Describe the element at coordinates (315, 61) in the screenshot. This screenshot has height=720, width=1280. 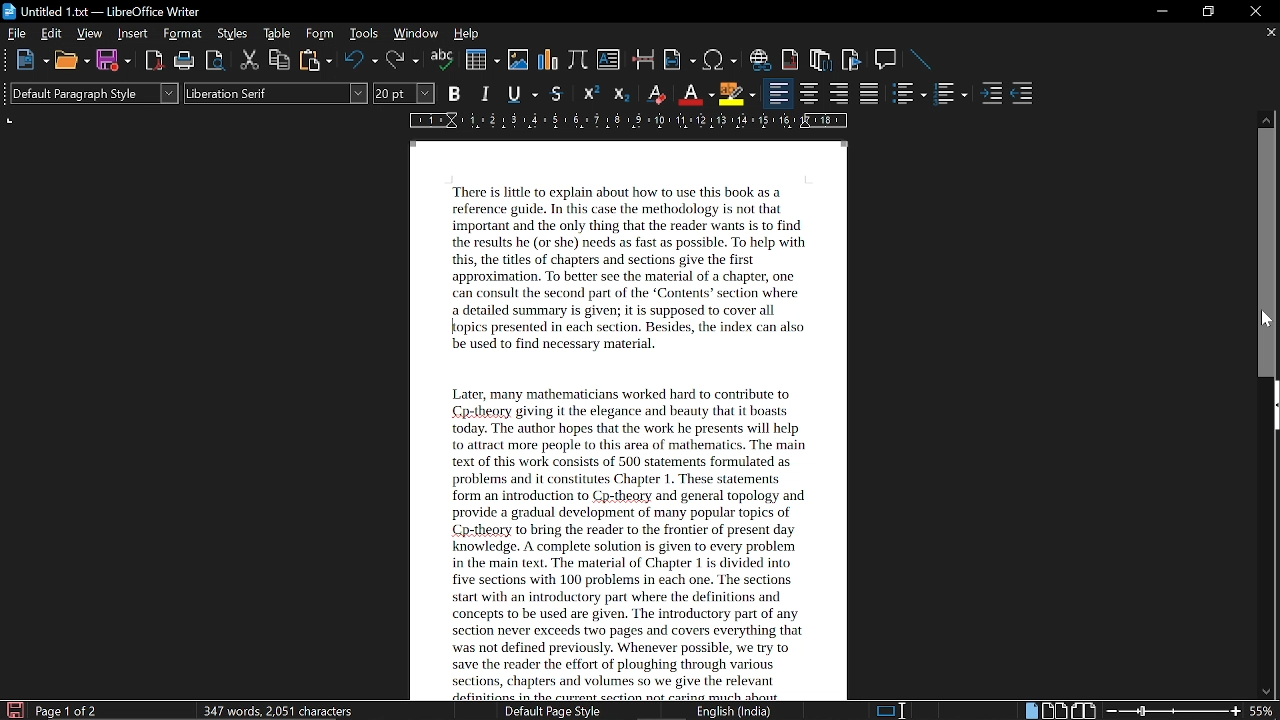
I see `paste` at that location.